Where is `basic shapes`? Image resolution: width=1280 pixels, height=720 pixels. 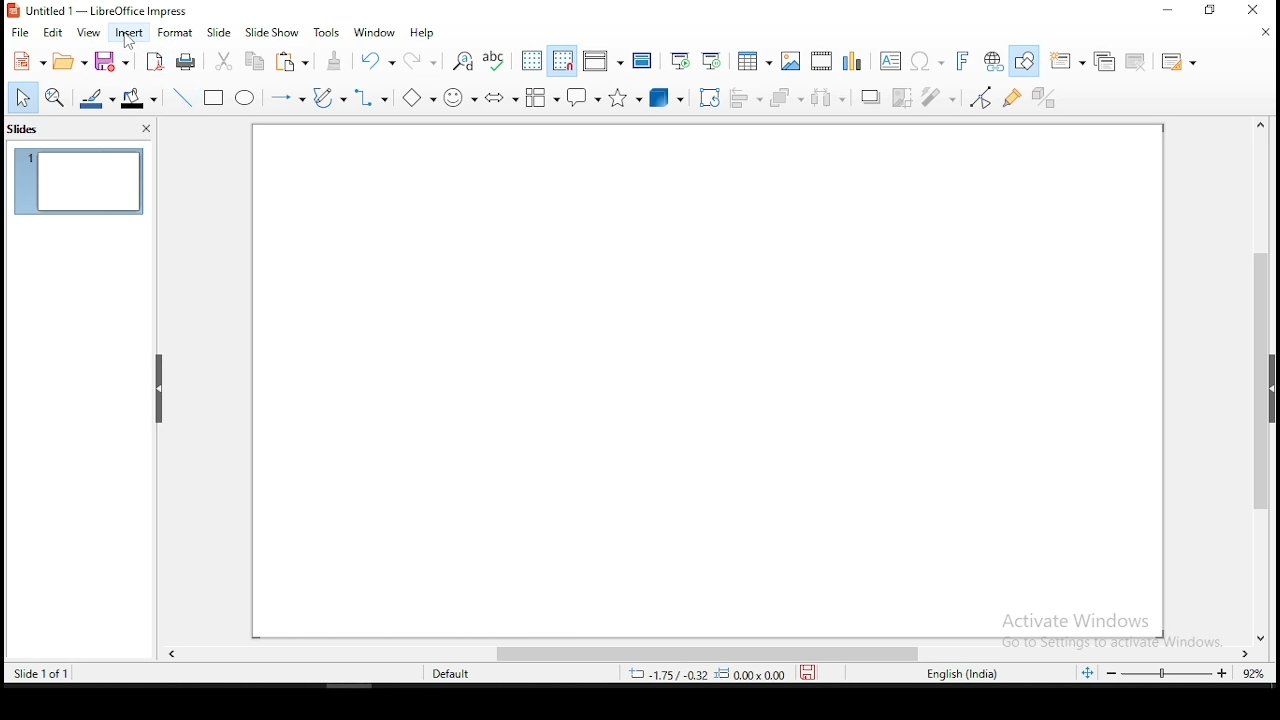
basic shapes is located at coordinates (416, 97).